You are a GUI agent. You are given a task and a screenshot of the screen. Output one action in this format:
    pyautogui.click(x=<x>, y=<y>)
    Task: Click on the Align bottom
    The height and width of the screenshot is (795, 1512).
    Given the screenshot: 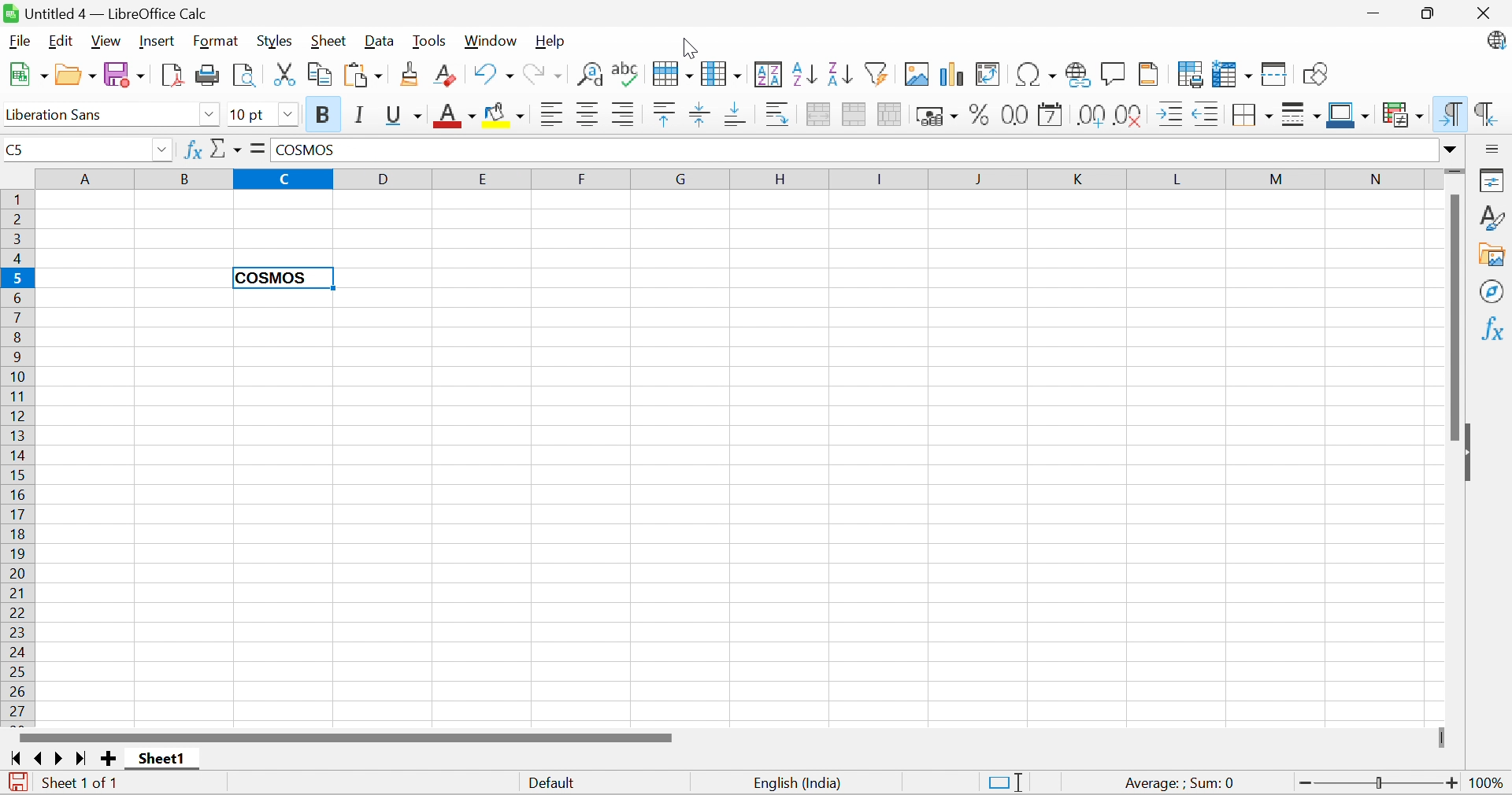 What is the action you would take?
    pyautogui.click(x=736, y=115)
    